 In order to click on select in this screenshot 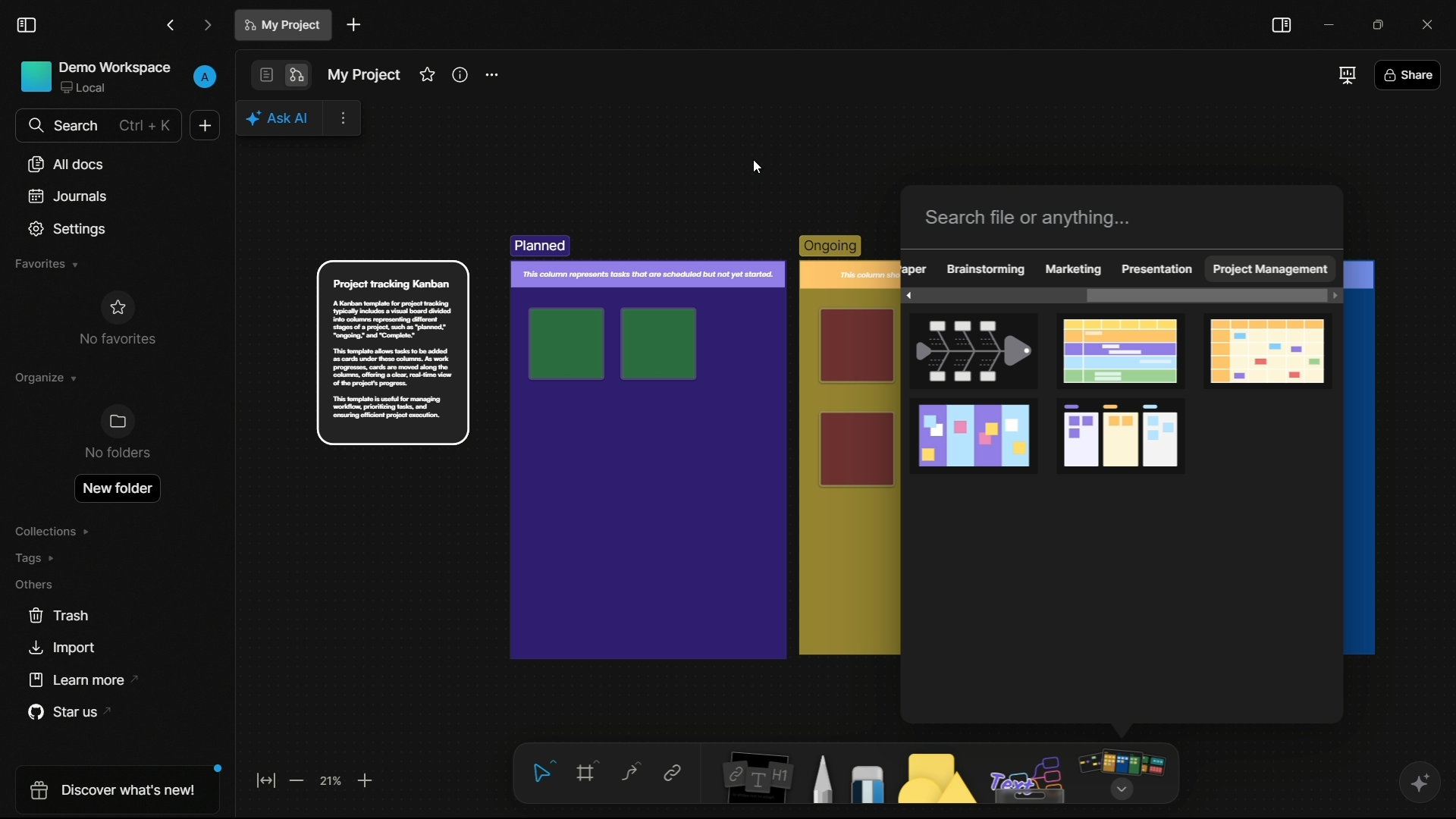, I will do `click(541, 770)`.